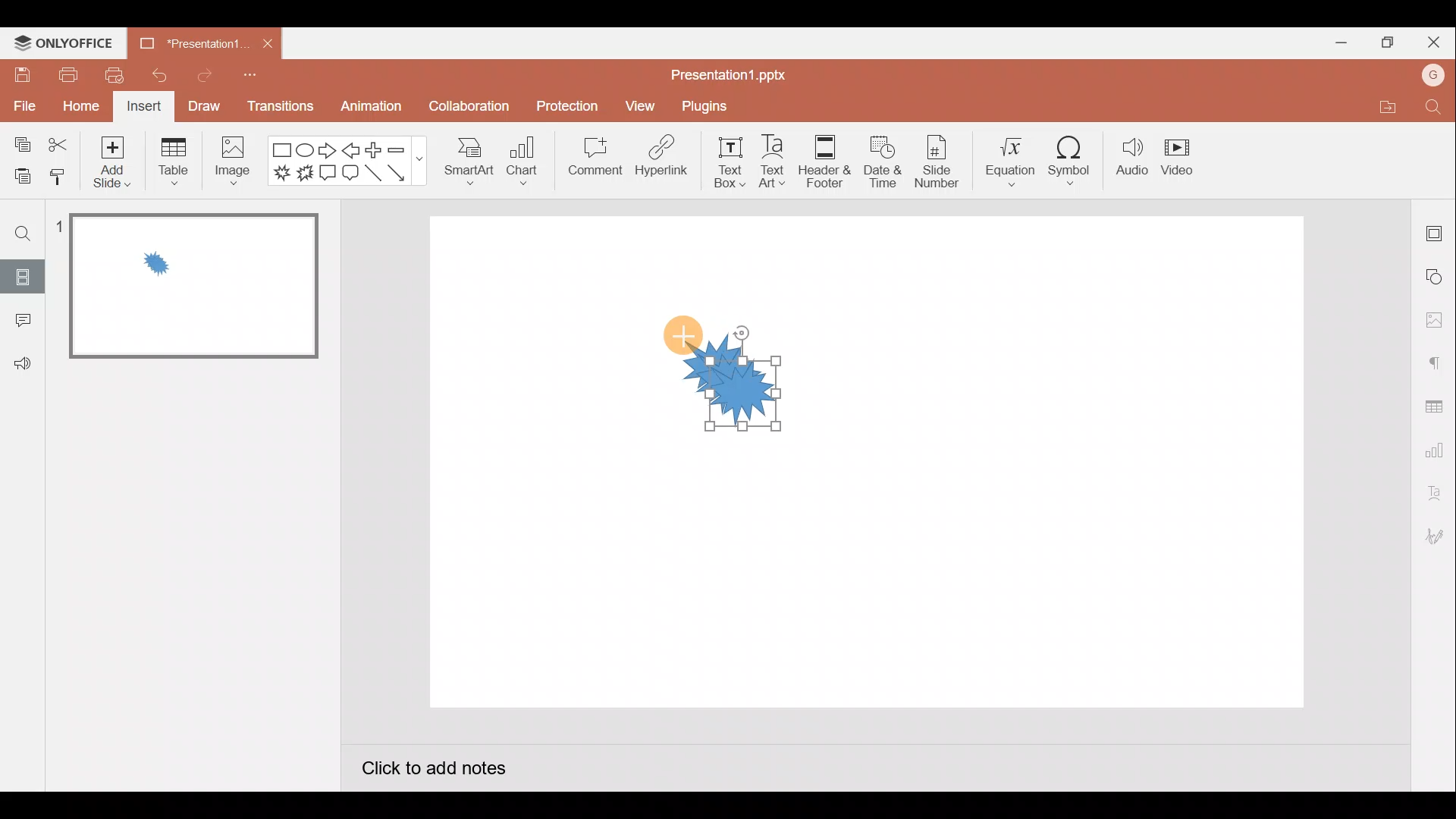 The image size is (1456, 819). Describe the element at coordinates (306, 177) in the screenshot. I see `Explosion 2` at that location.